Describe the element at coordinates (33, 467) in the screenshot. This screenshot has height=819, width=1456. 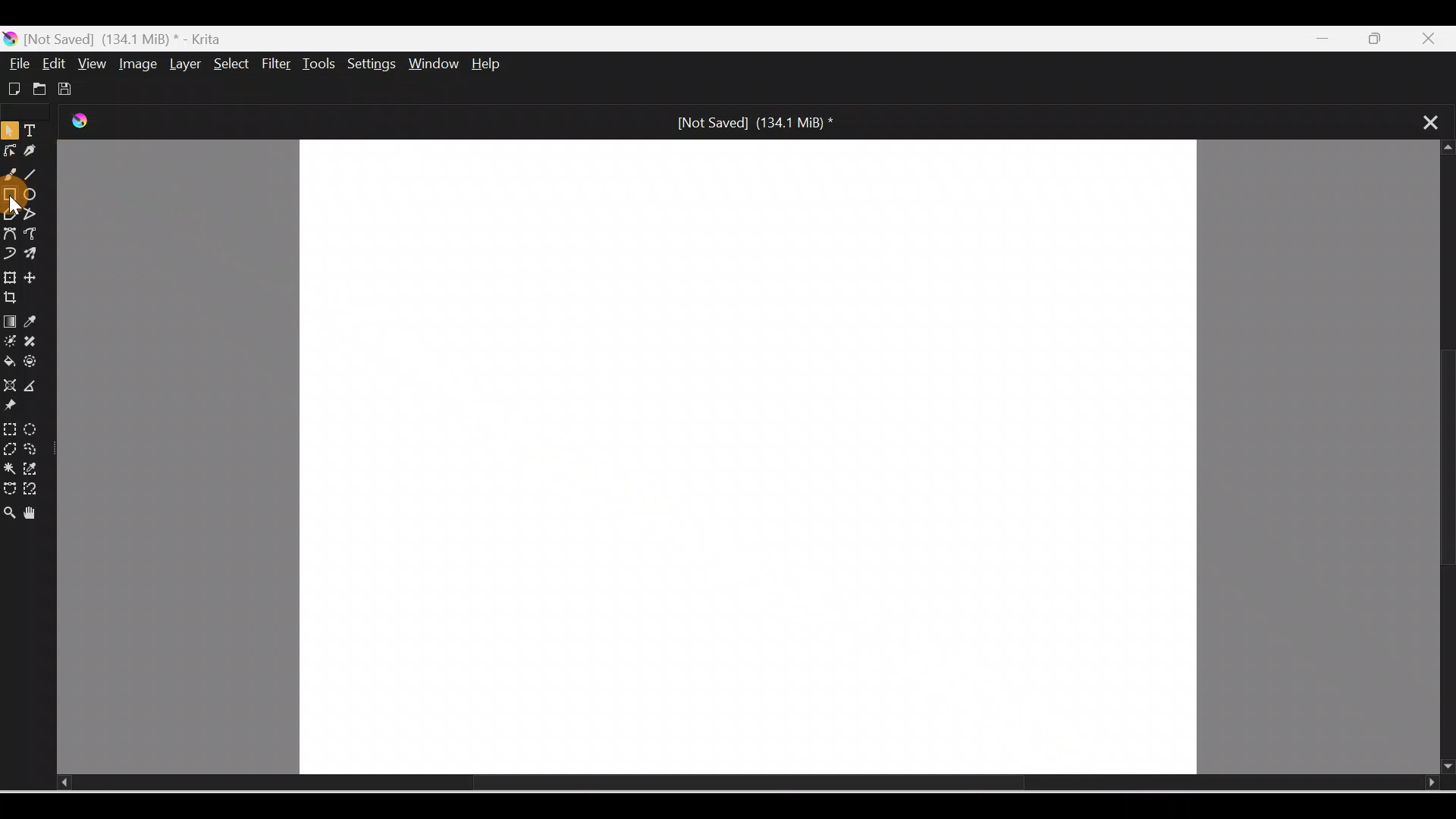
I see `Similar color selection tool` at that location.